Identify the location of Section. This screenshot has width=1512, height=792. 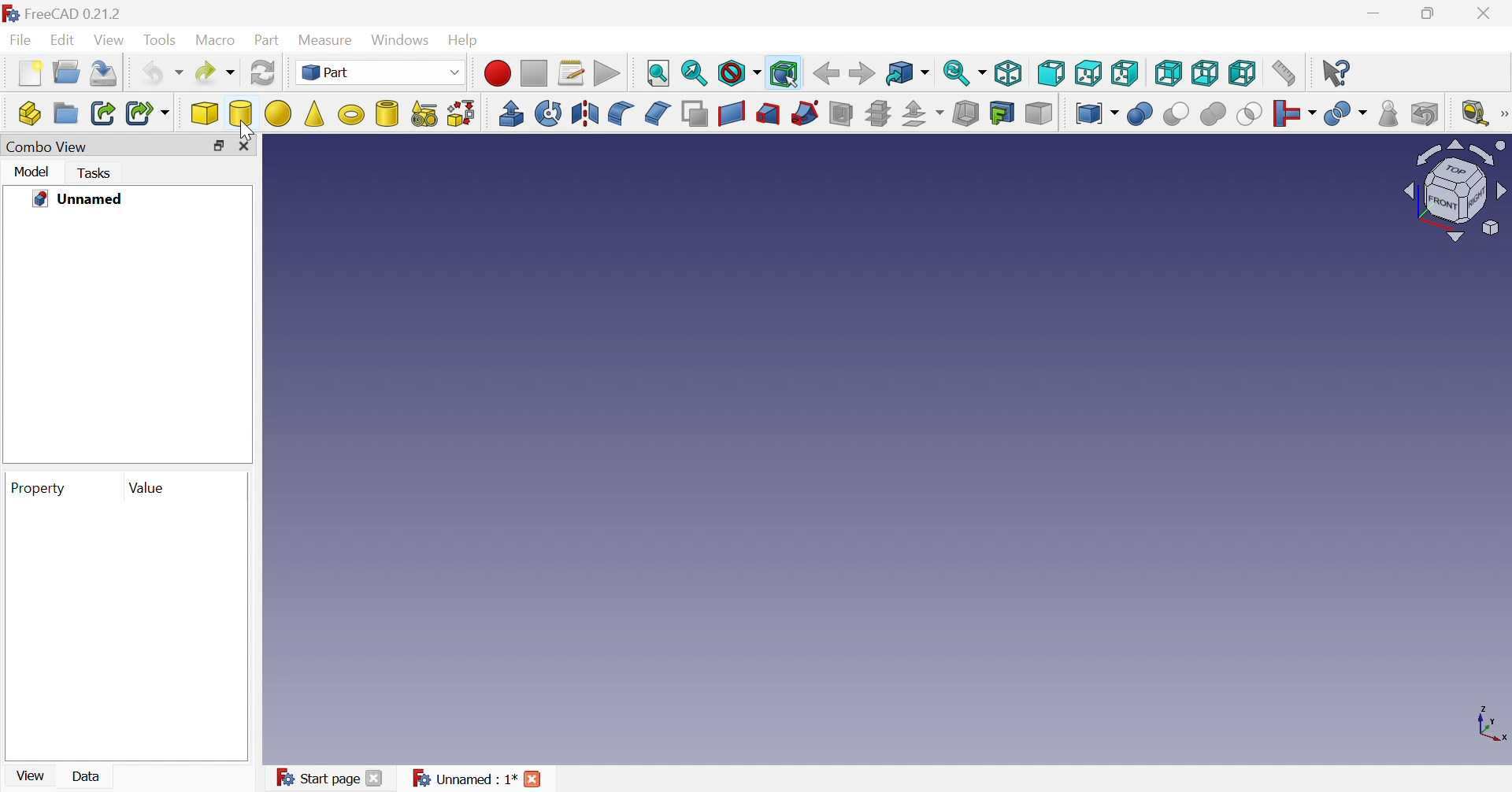
(844, 114).